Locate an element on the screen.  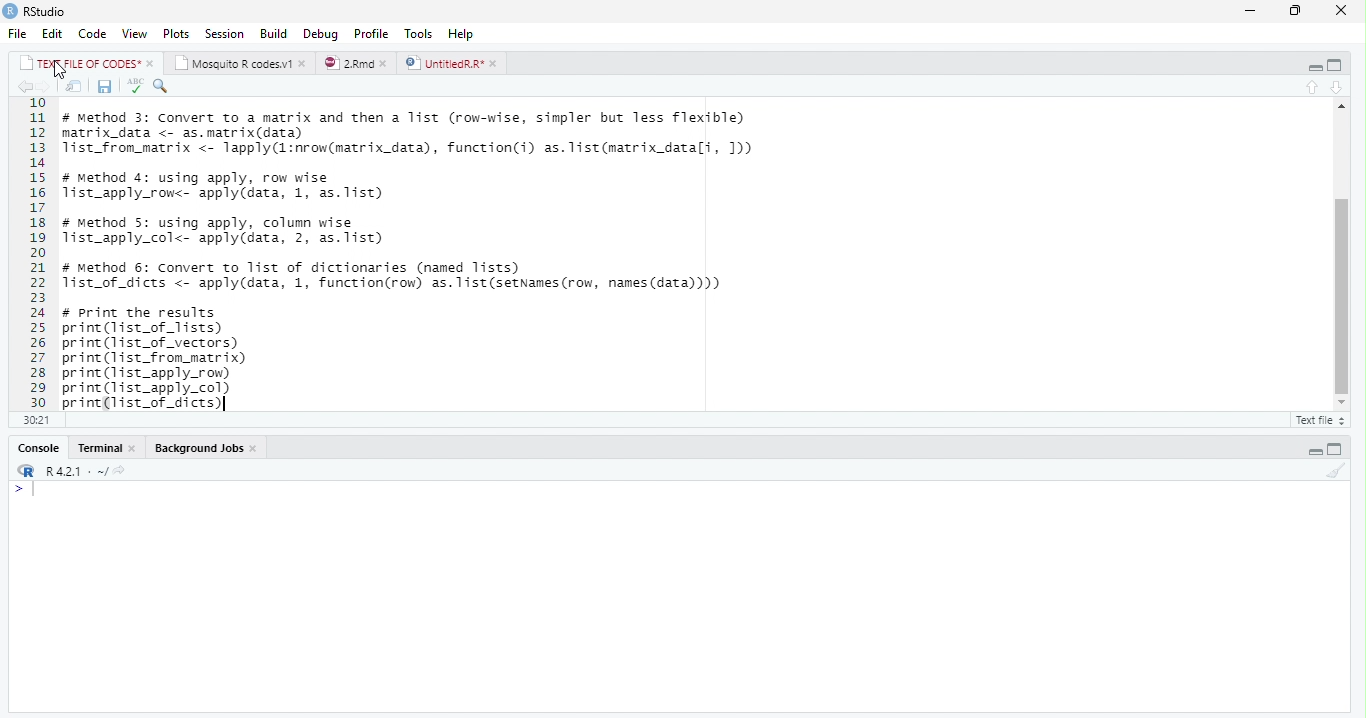
Open in new window is located at coordinates (74, 86).